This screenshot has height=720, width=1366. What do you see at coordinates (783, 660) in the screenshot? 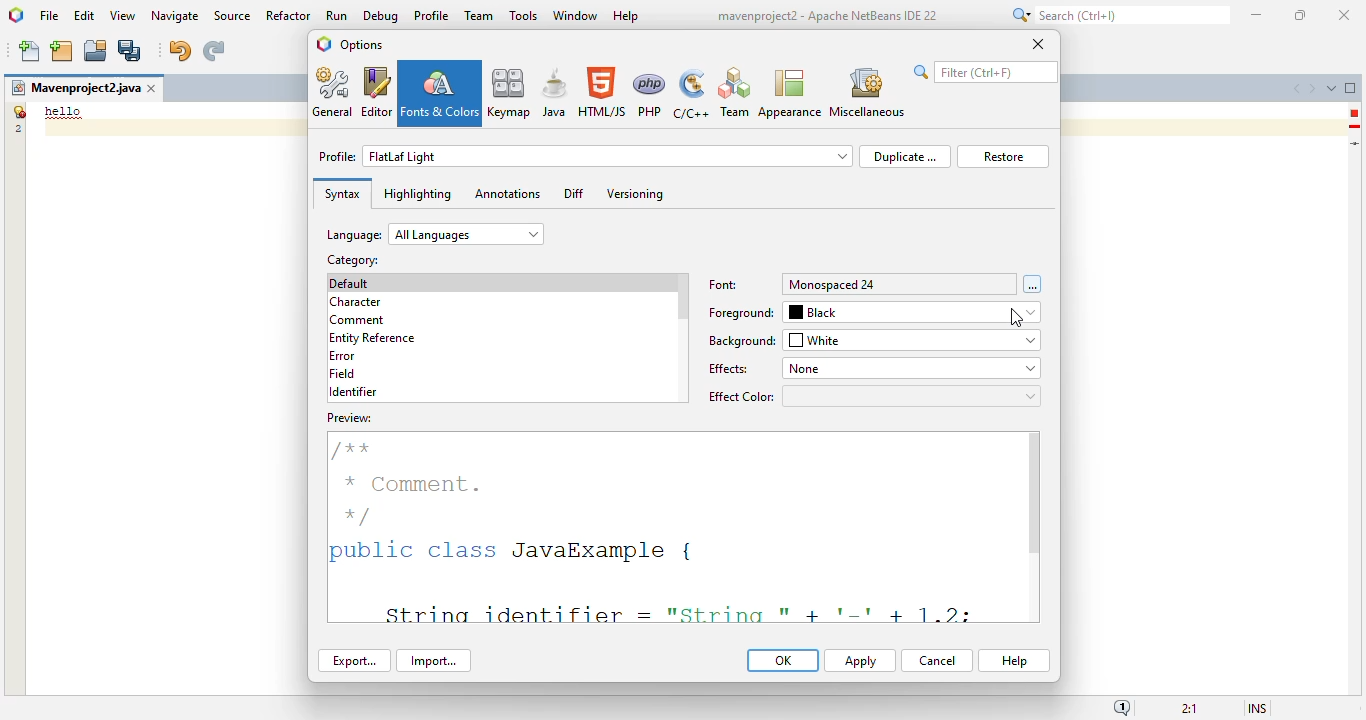
I see `OK` at bounding box center [783, 660].